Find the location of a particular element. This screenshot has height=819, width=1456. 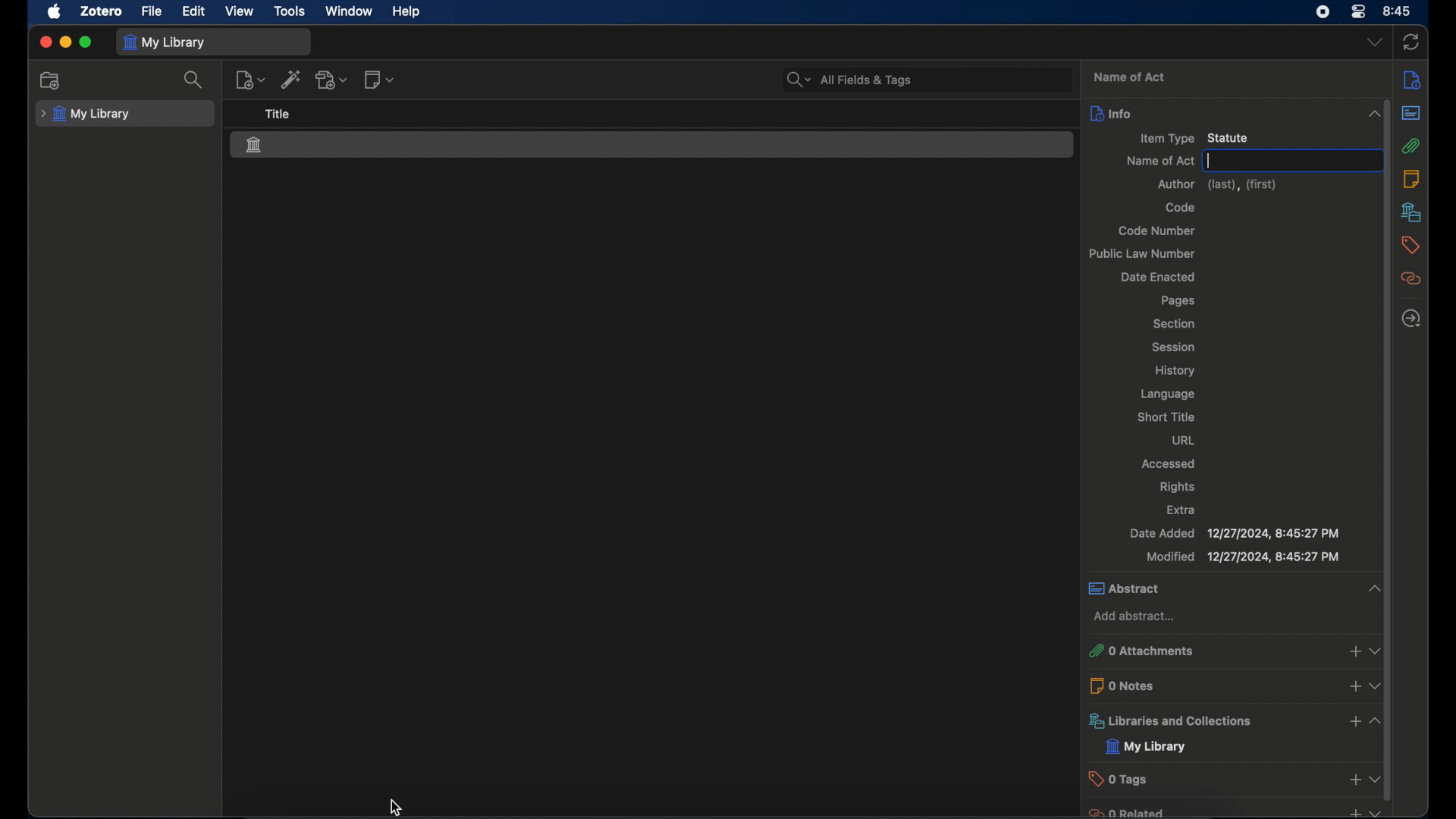

name of act is located at coordinates (1129, 77).